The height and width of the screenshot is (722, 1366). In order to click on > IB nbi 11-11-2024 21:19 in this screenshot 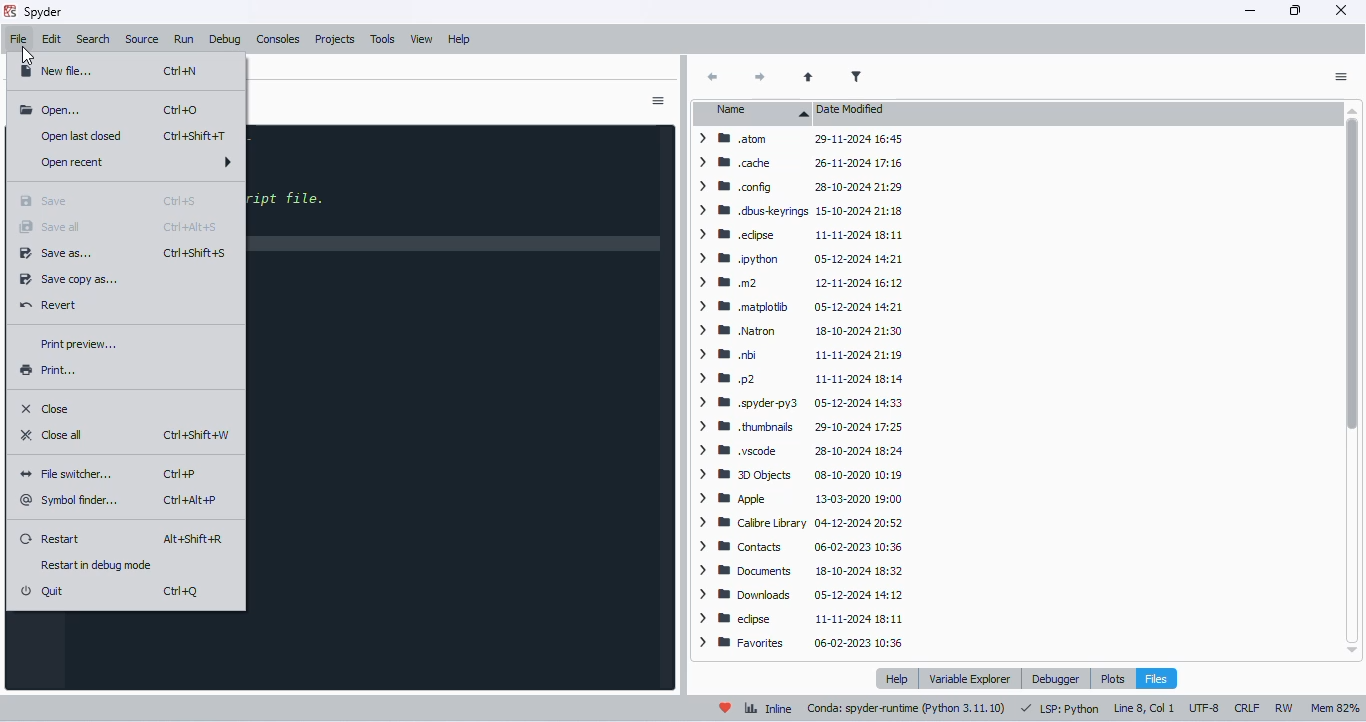, I will do `click(797, 356)`.